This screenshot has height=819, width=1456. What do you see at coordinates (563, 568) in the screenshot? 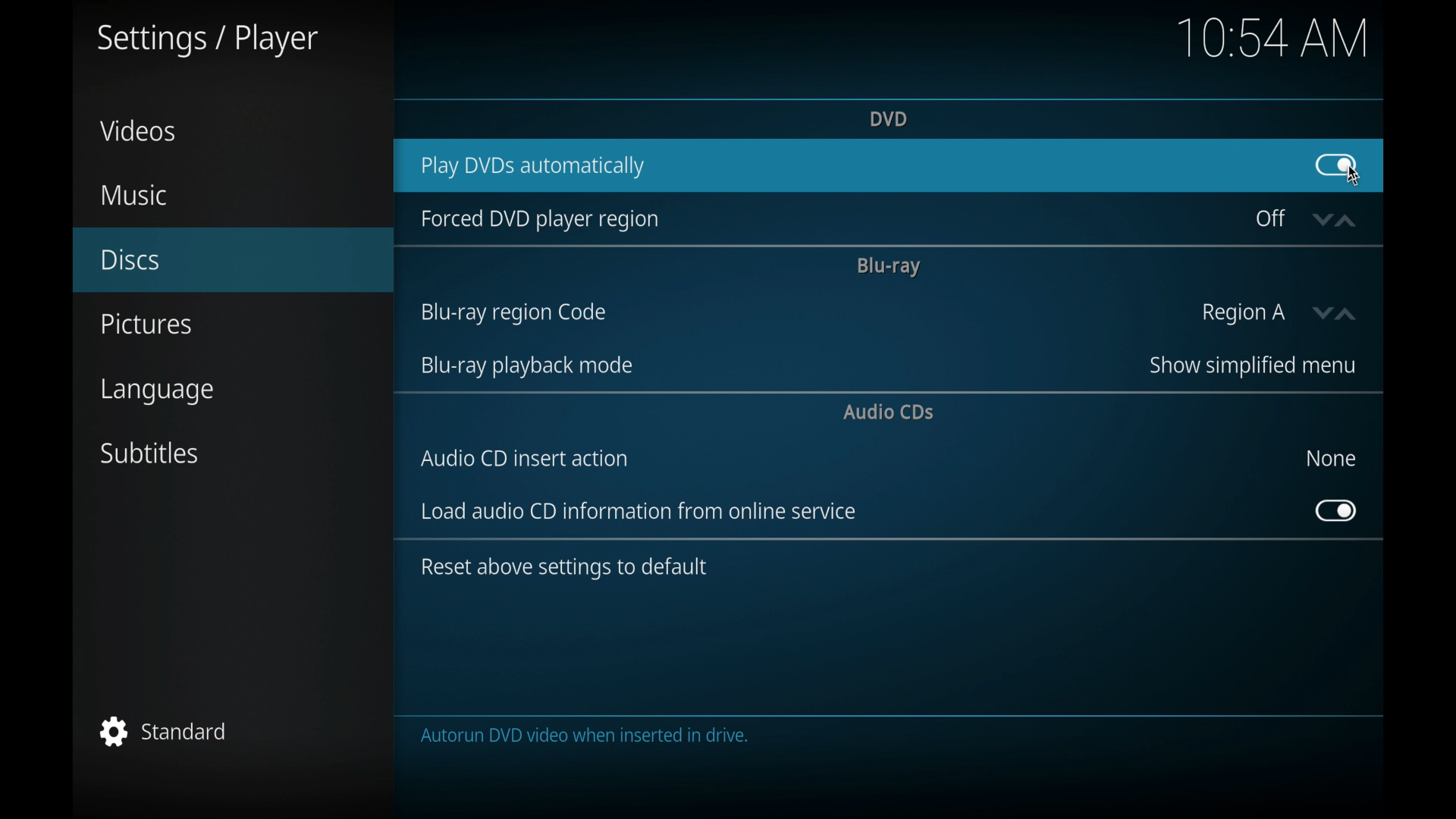
I see `info` at bounding box center [563, 568].